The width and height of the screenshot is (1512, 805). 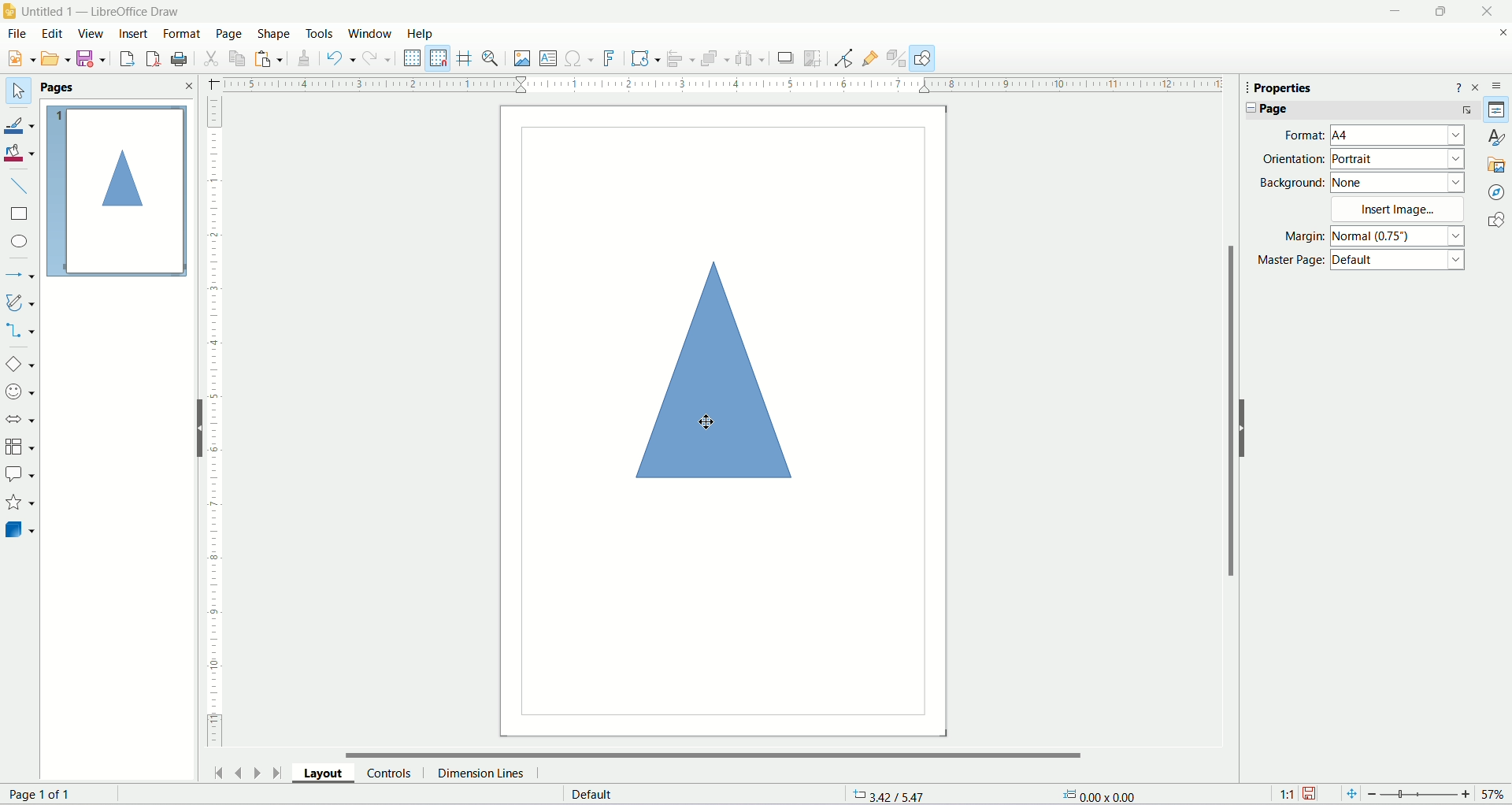 What do you see at coordinates (218, 422) in the screenshot?
I see `Vertical Ruler` at bounding box center [218, 422].